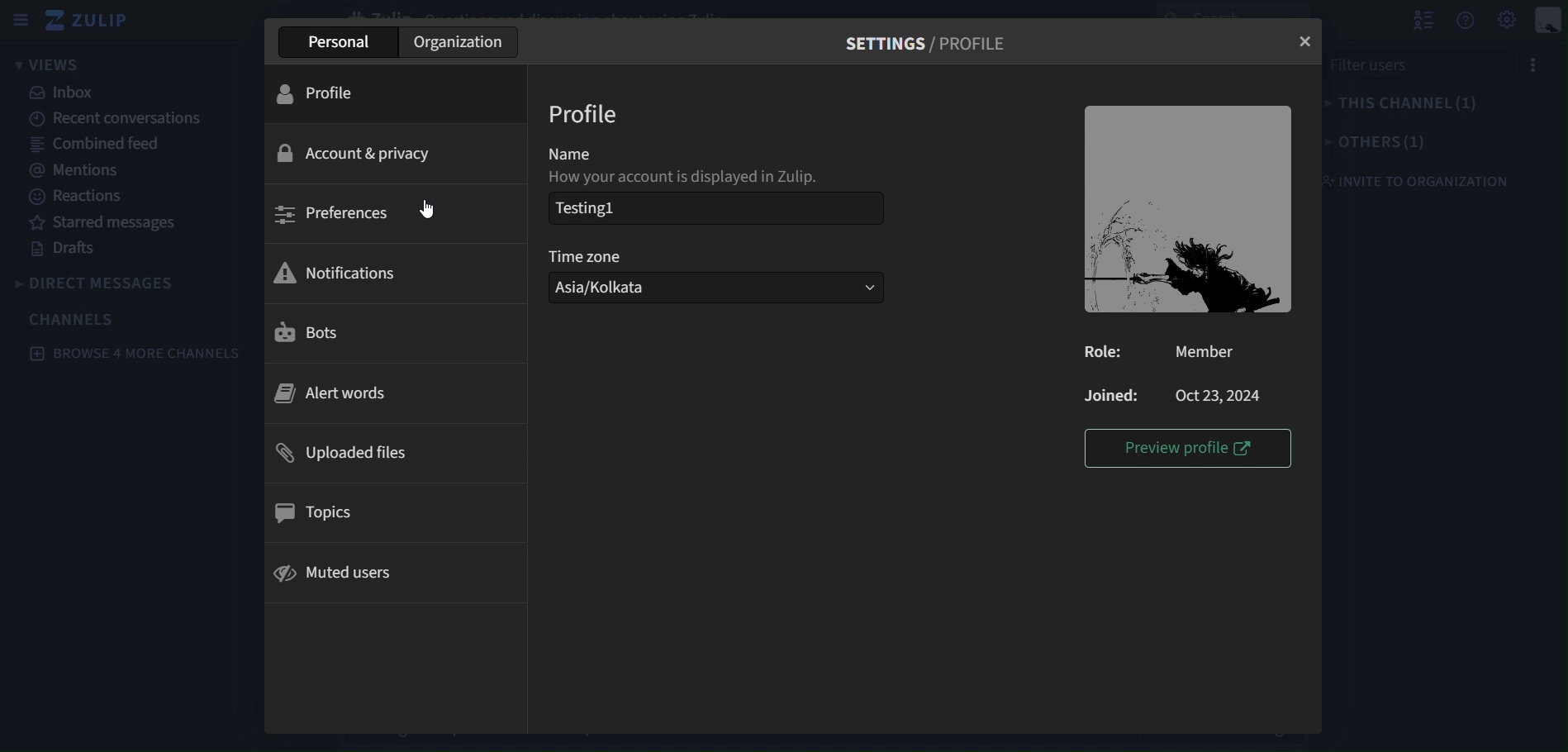 The width and height of the screenshot is (1568, 752). Describe the element at coordinates (718, 207) in the screenshot. I see `testing1` at that location.